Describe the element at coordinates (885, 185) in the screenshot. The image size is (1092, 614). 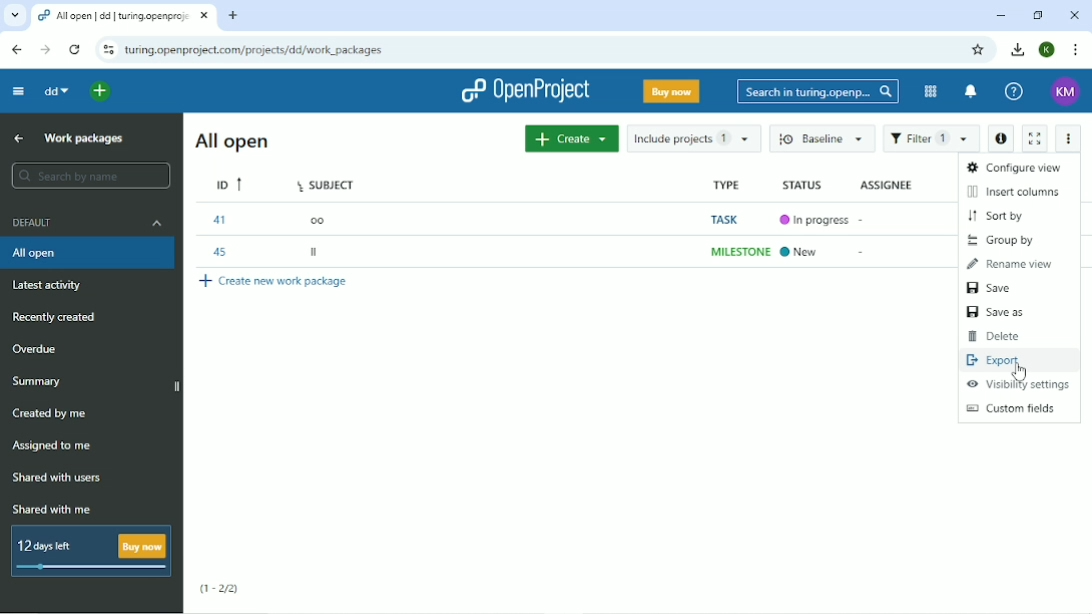
I see `Assignee` at that location.